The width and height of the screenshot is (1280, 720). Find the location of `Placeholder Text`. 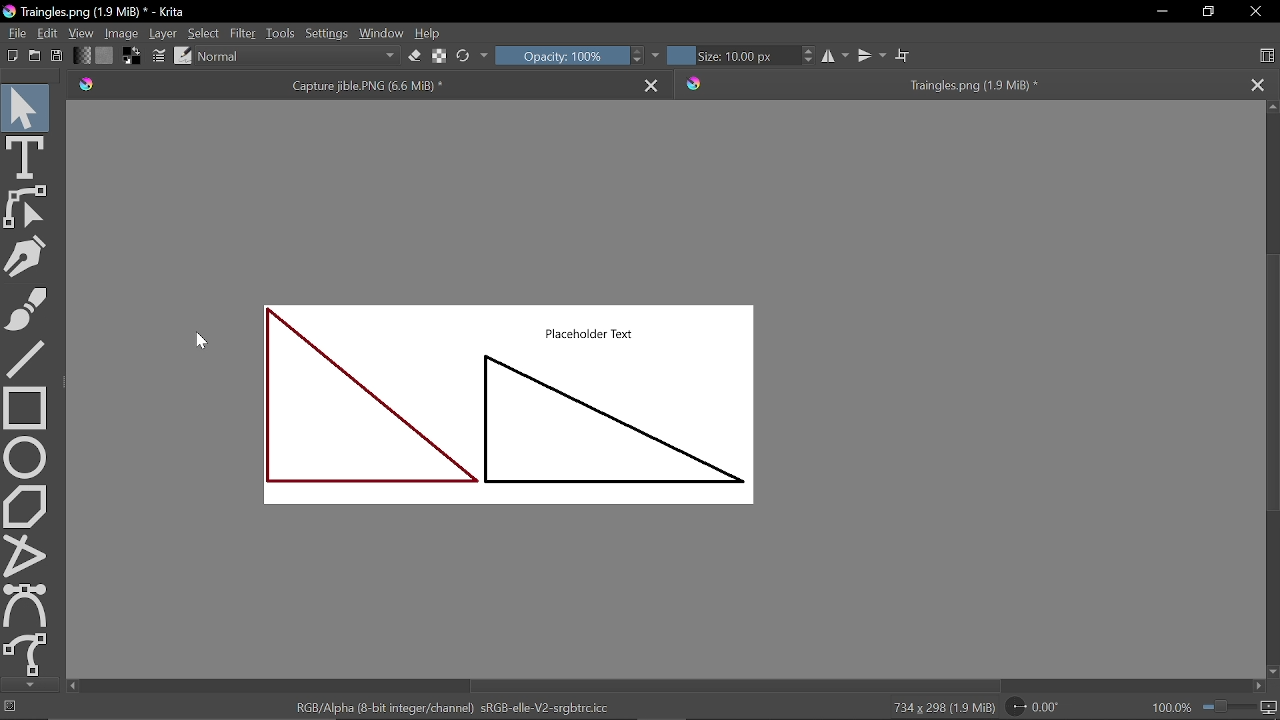

Placeholder Text is located at coordinates (514, 419).